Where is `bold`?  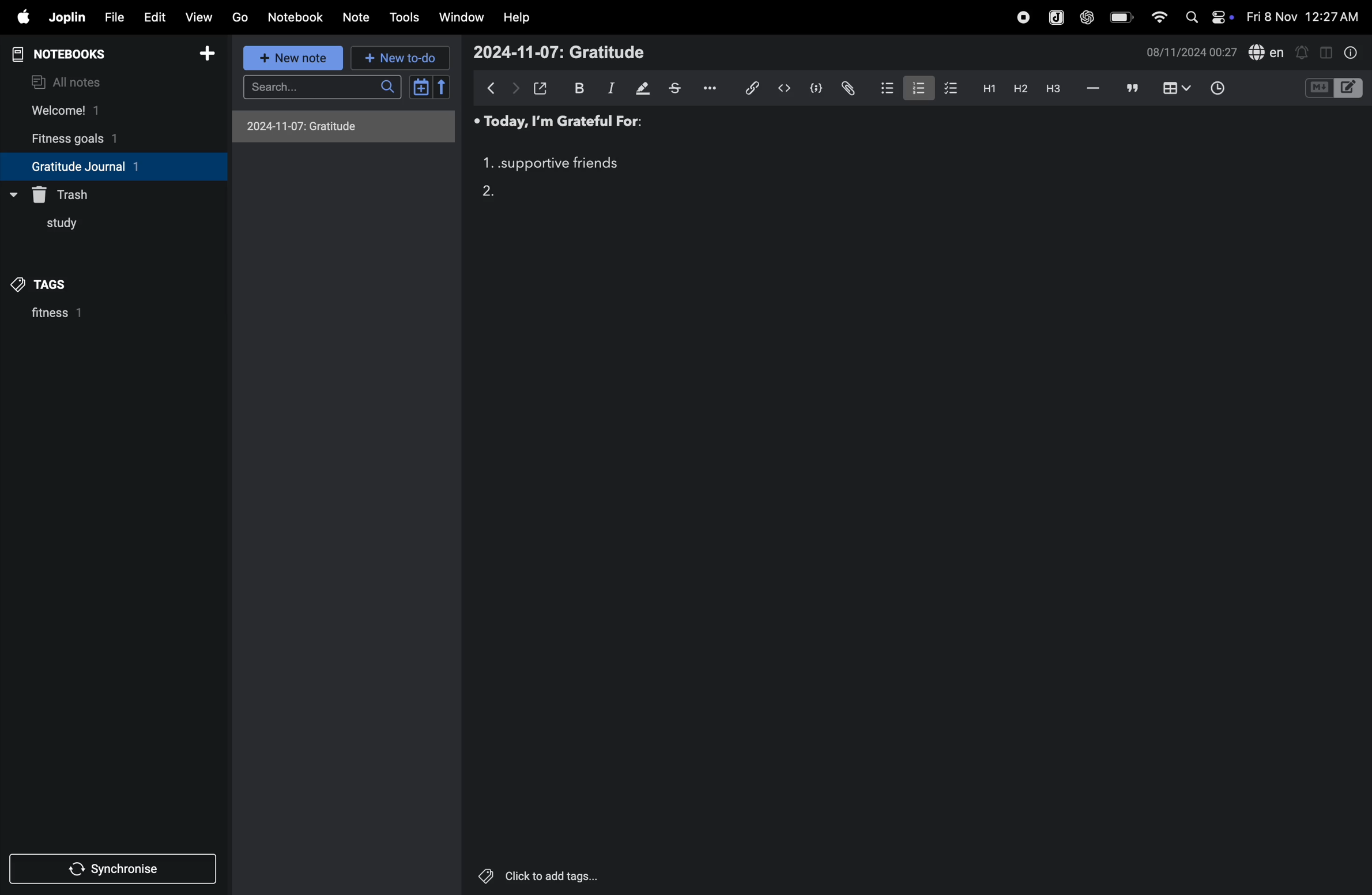 bold is located at coordinates (578, 87).